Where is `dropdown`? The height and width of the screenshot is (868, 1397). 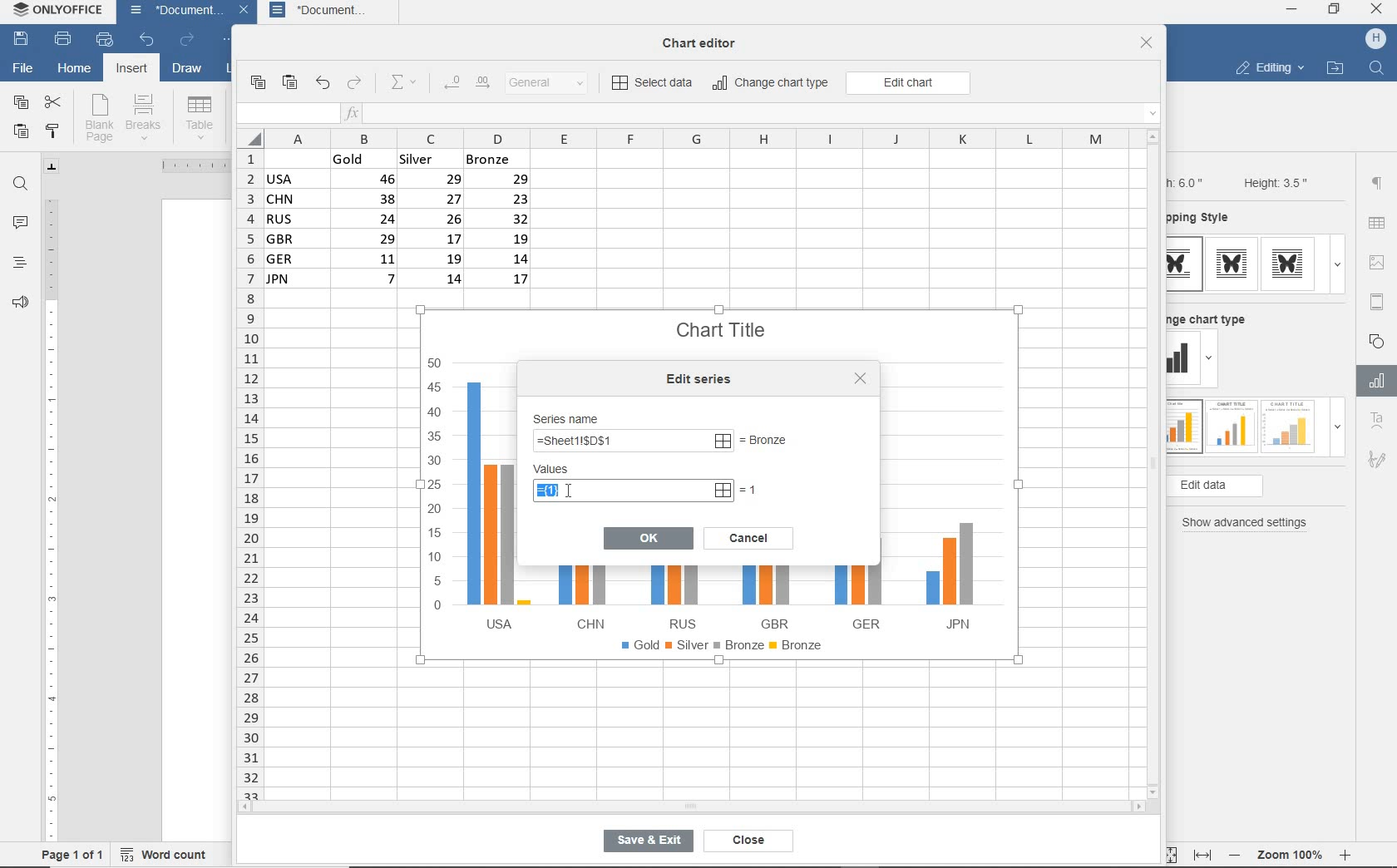
dropdown is located at coordinates (1337, 264).